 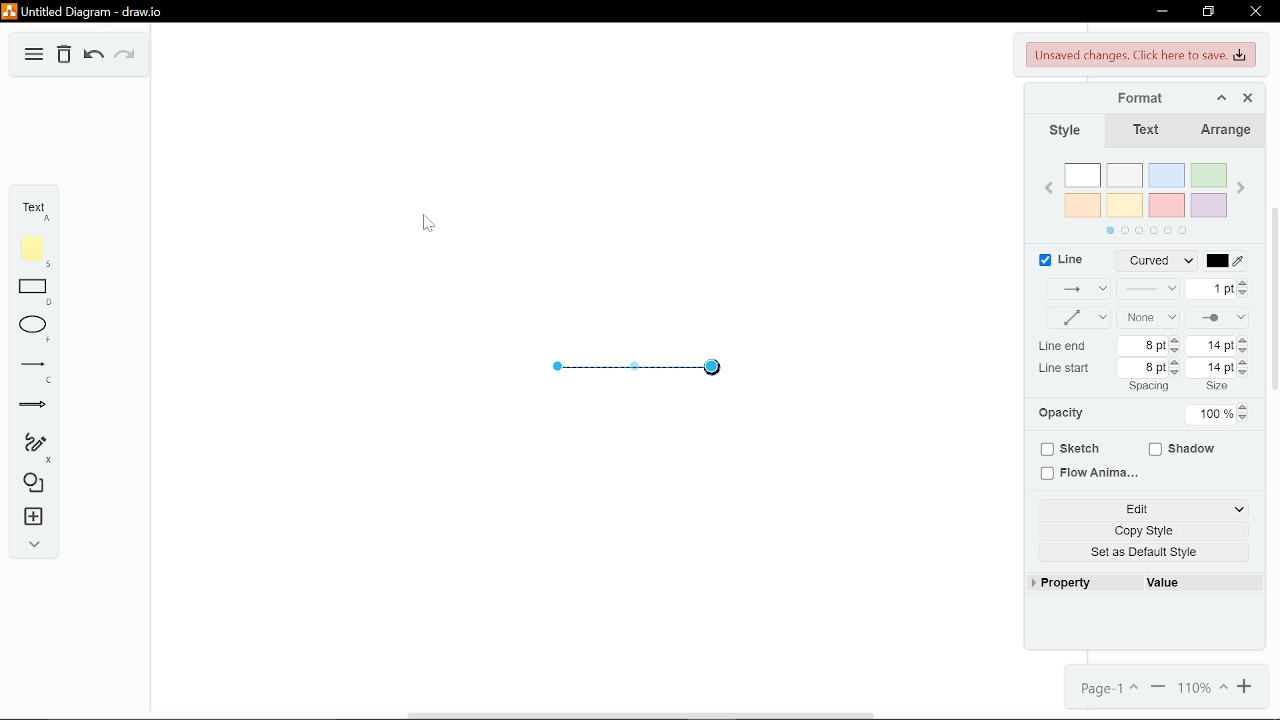 What do you see at coordinates (1211, 12) in the screenshot?
I see `Restore down` at bounding box center [1211, 12].